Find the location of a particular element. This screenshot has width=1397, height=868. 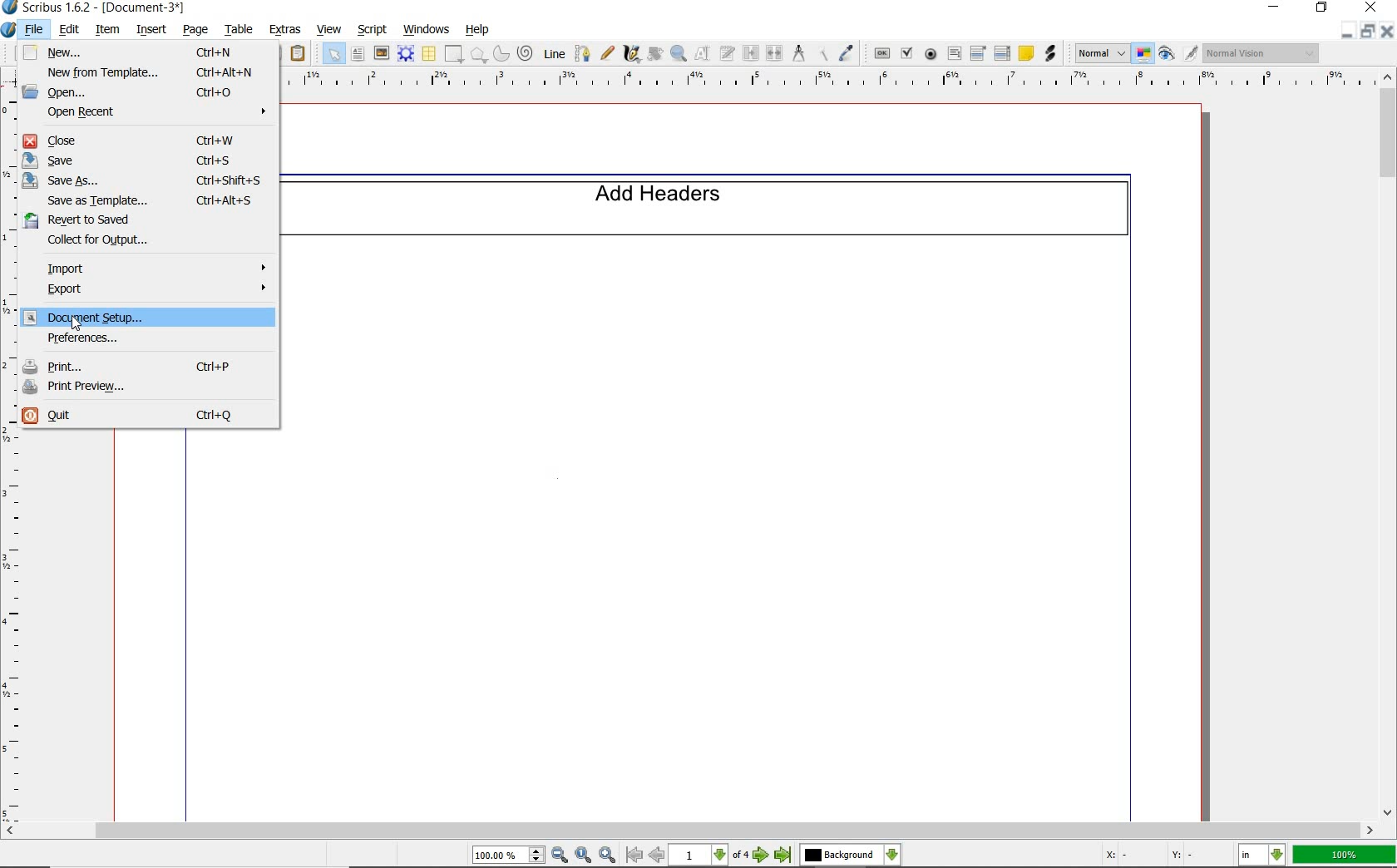

scrollbar is located at coordinates (1389, 444).